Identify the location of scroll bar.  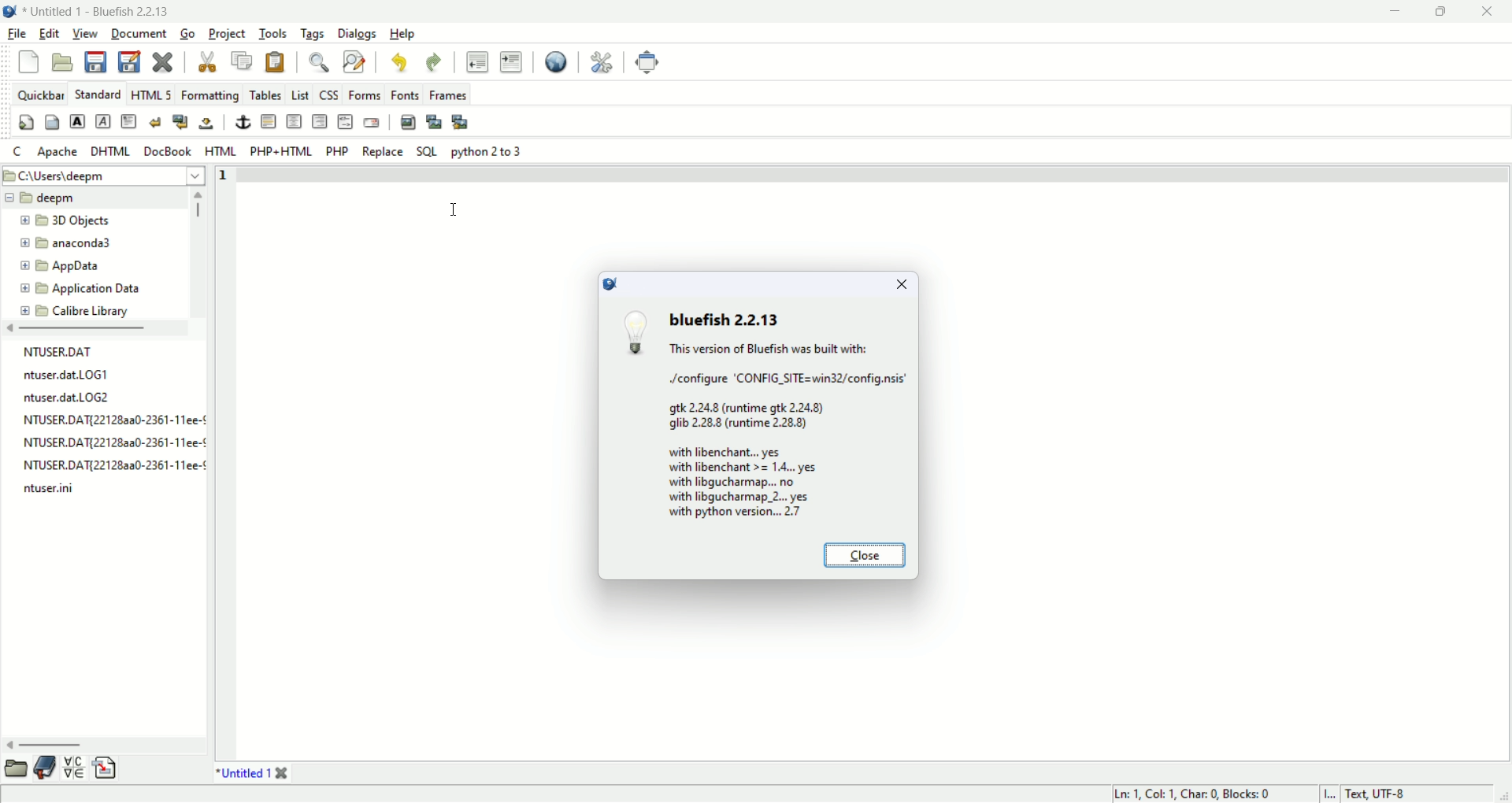
(94, 329).